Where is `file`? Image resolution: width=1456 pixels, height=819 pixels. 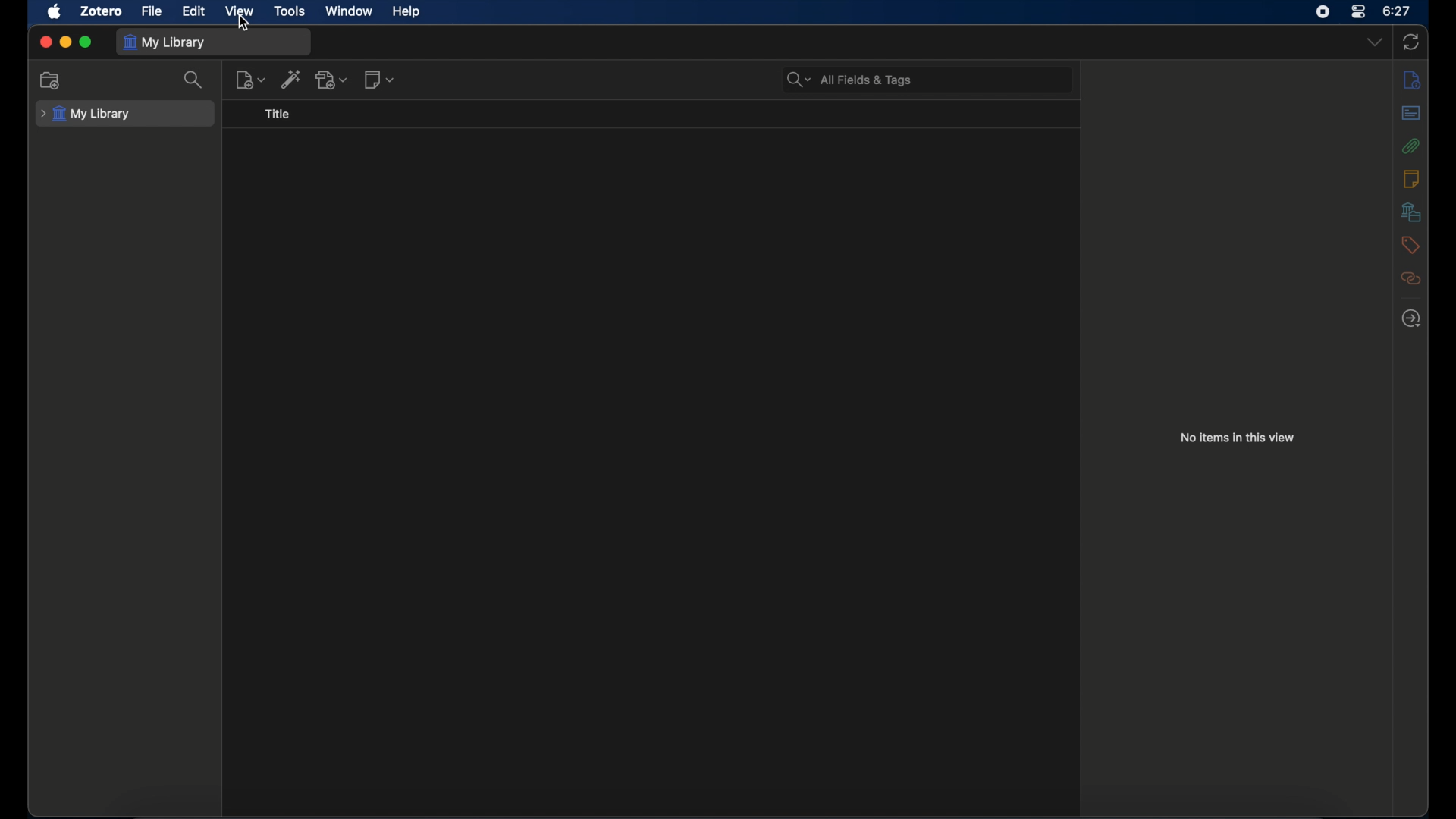 file is located at coordinates (152, 11).